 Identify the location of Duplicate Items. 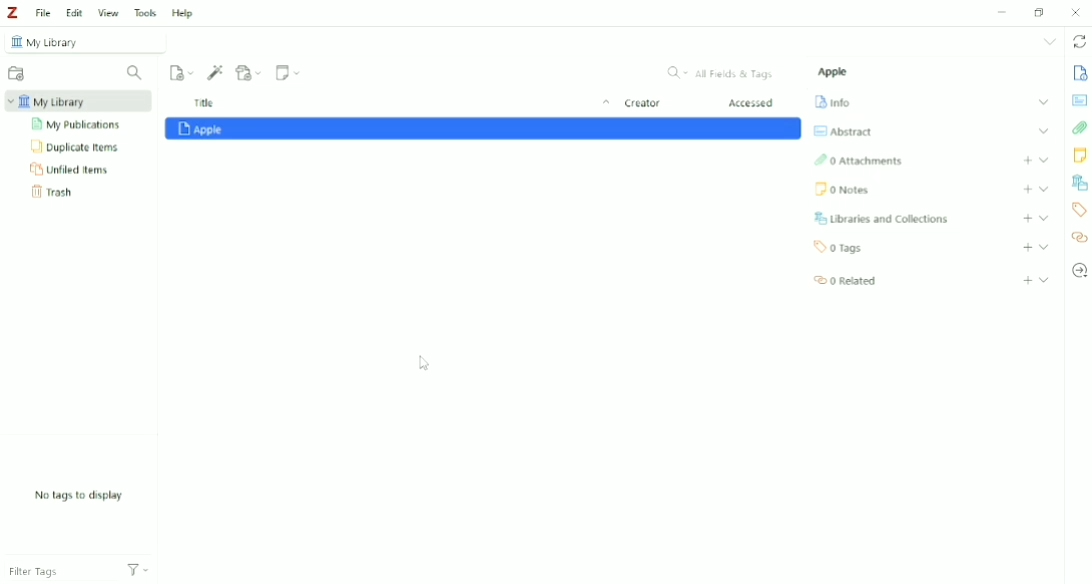
(77, 148).